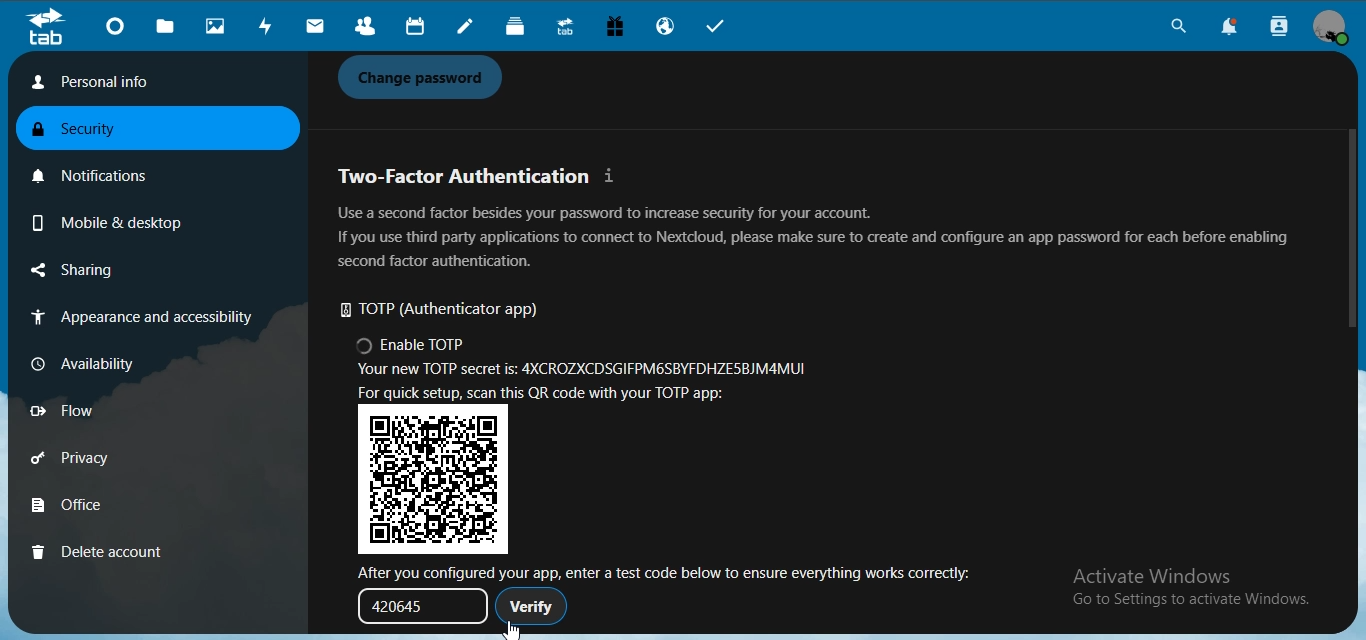  What do you see at coordinates (138, 319) in the screenshot?
I see `appearance and accessibility` at bounding box center [138, 319].